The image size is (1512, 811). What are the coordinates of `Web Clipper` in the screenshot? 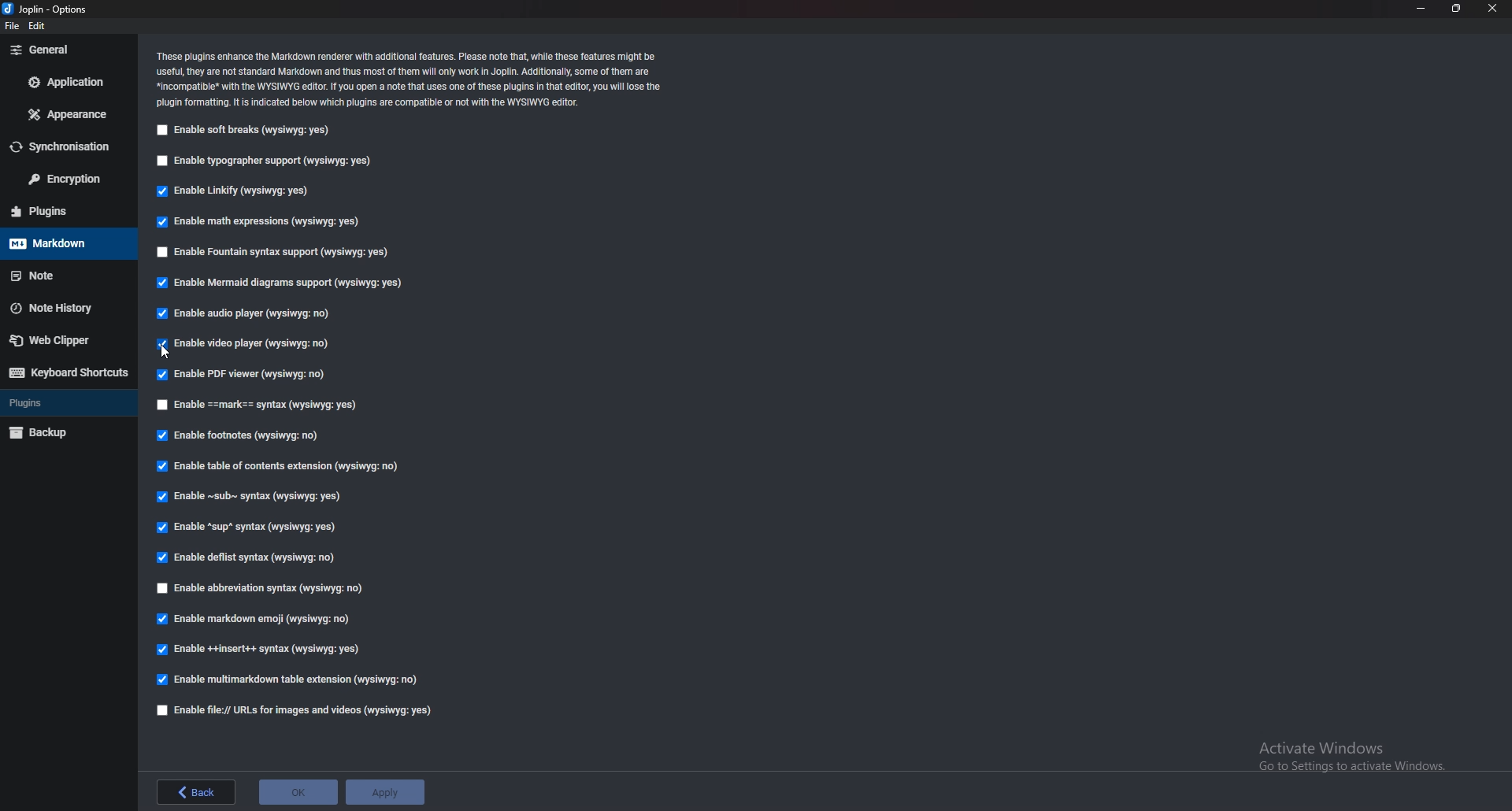 It's located at (66, 339).